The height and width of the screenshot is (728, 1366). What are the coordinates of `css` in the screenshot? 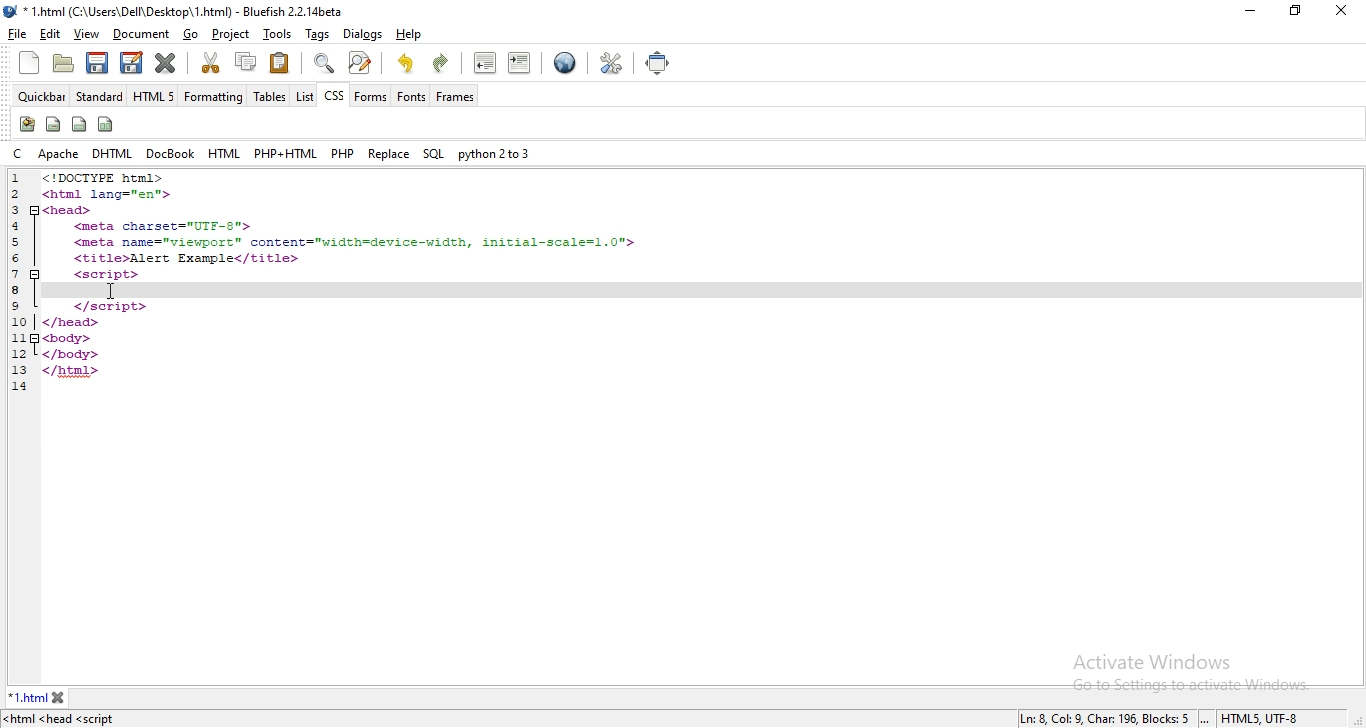 It's located at (333, 96).